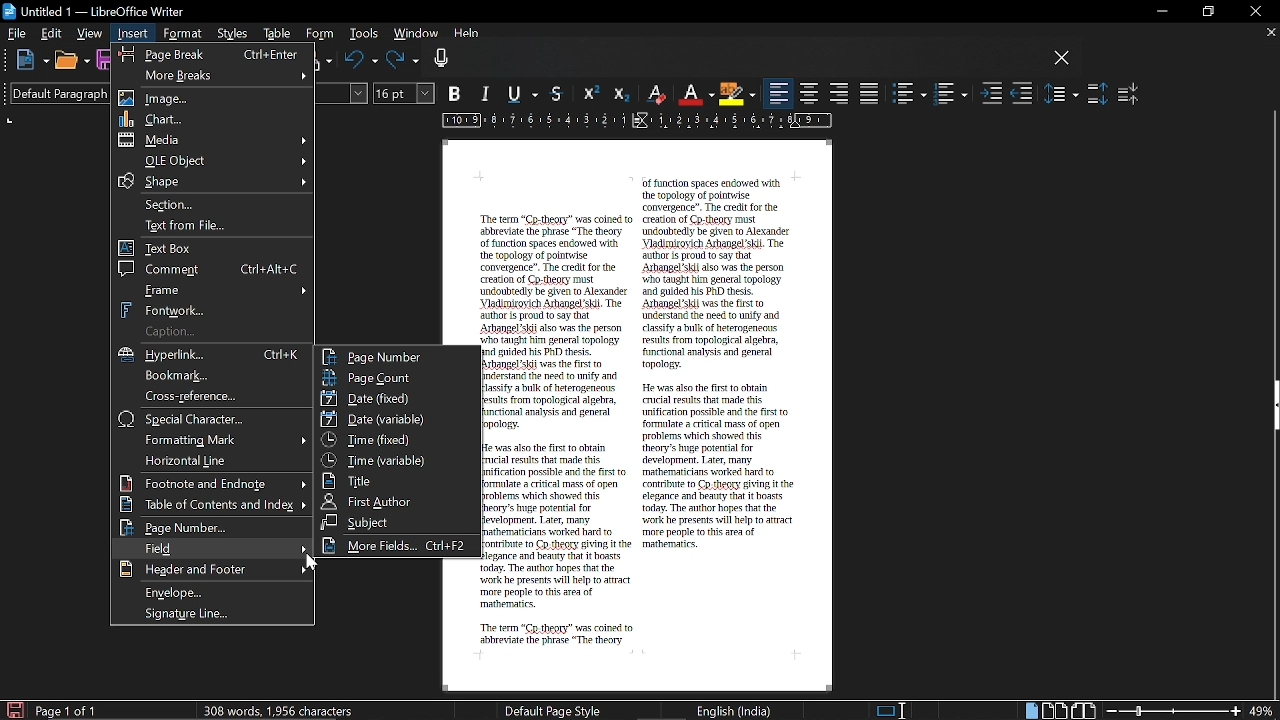  Describe the element at coordinates (633, 122) in the screenshot. I see `Ruler` at that location.